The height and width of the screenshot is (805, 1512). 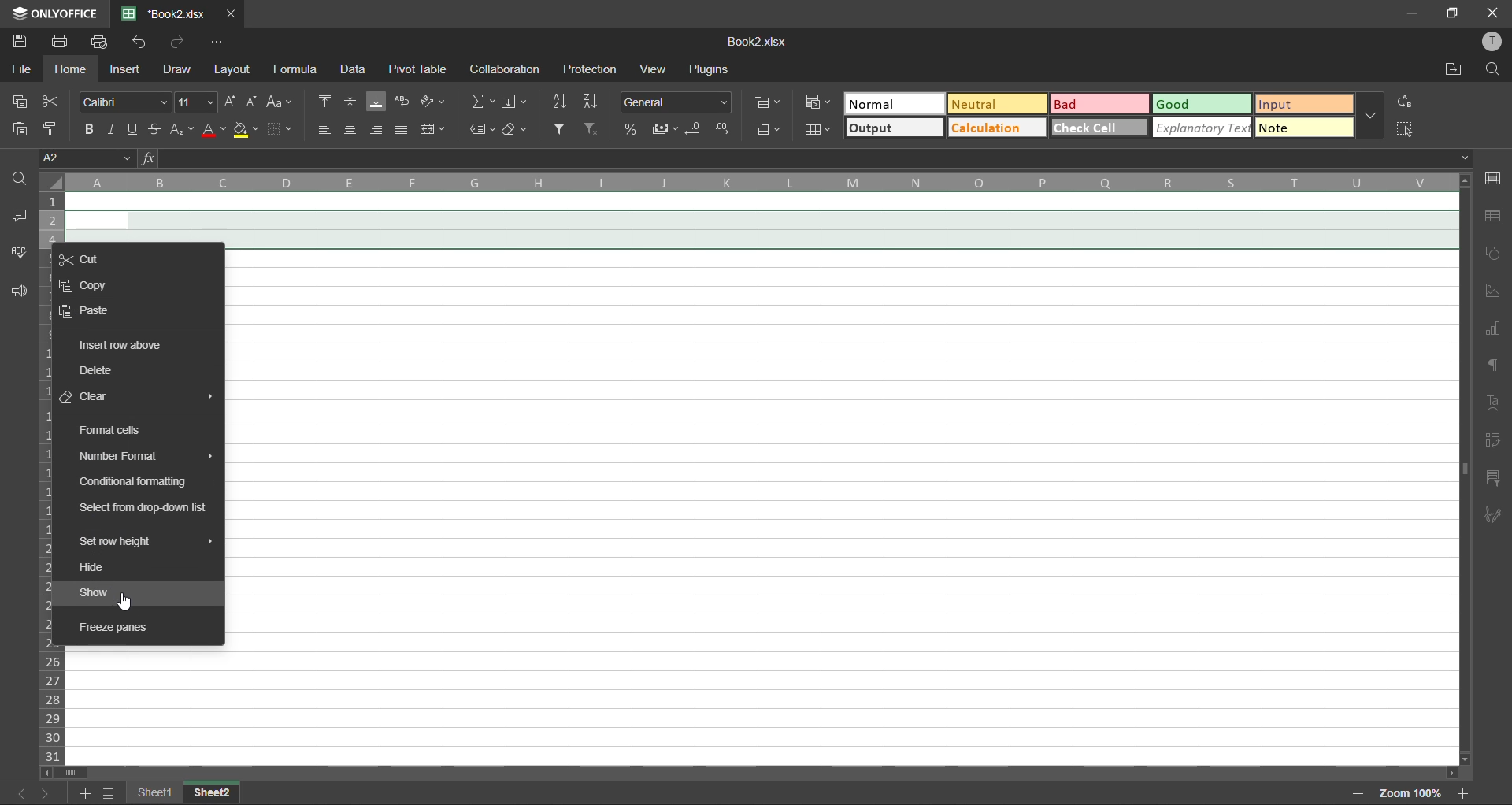 I want to click on sort descending, so click(x=594, y=102).